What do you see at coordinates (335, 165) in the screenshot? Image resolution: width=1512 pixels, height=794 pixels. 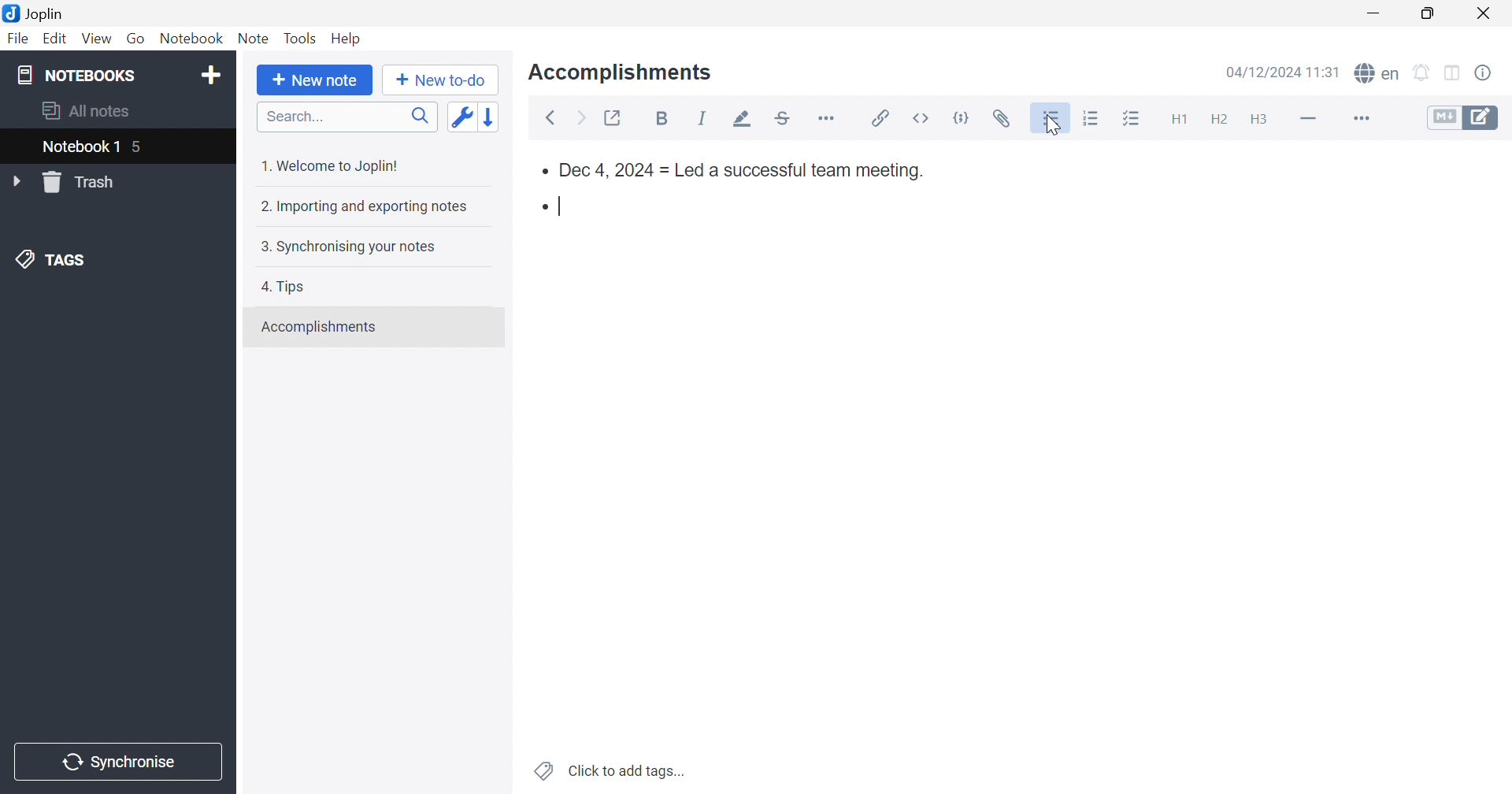 I see `1. Welcome to Joplin!` at bounding box center [335, 165].